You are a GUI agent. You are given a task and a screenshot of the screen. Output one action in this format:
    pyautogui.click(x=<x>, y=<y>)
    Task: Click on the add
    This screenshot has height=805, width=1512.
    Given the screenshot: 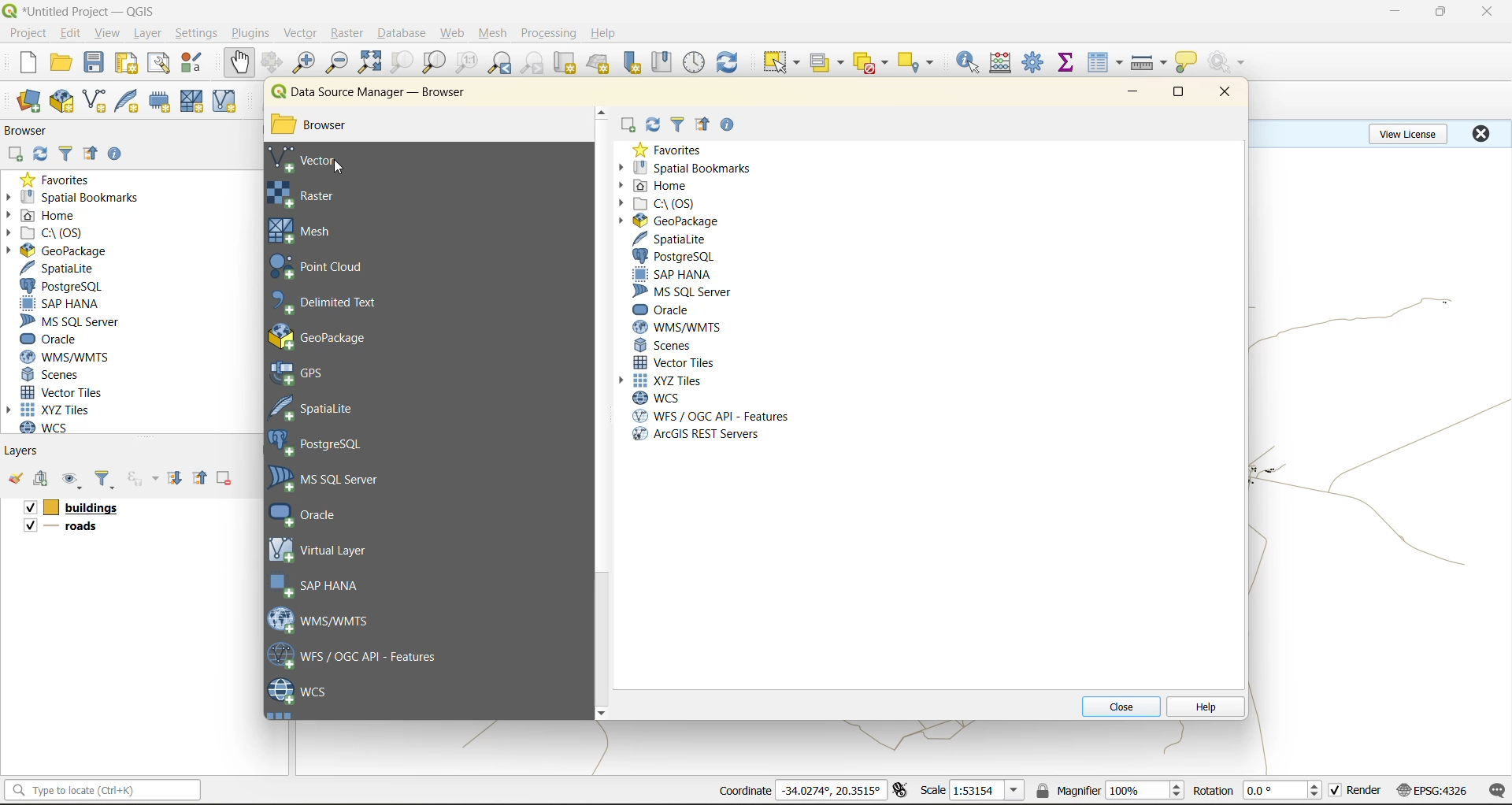 What is the action you would take?
    pyautogui.click(x=14, y=155)
    